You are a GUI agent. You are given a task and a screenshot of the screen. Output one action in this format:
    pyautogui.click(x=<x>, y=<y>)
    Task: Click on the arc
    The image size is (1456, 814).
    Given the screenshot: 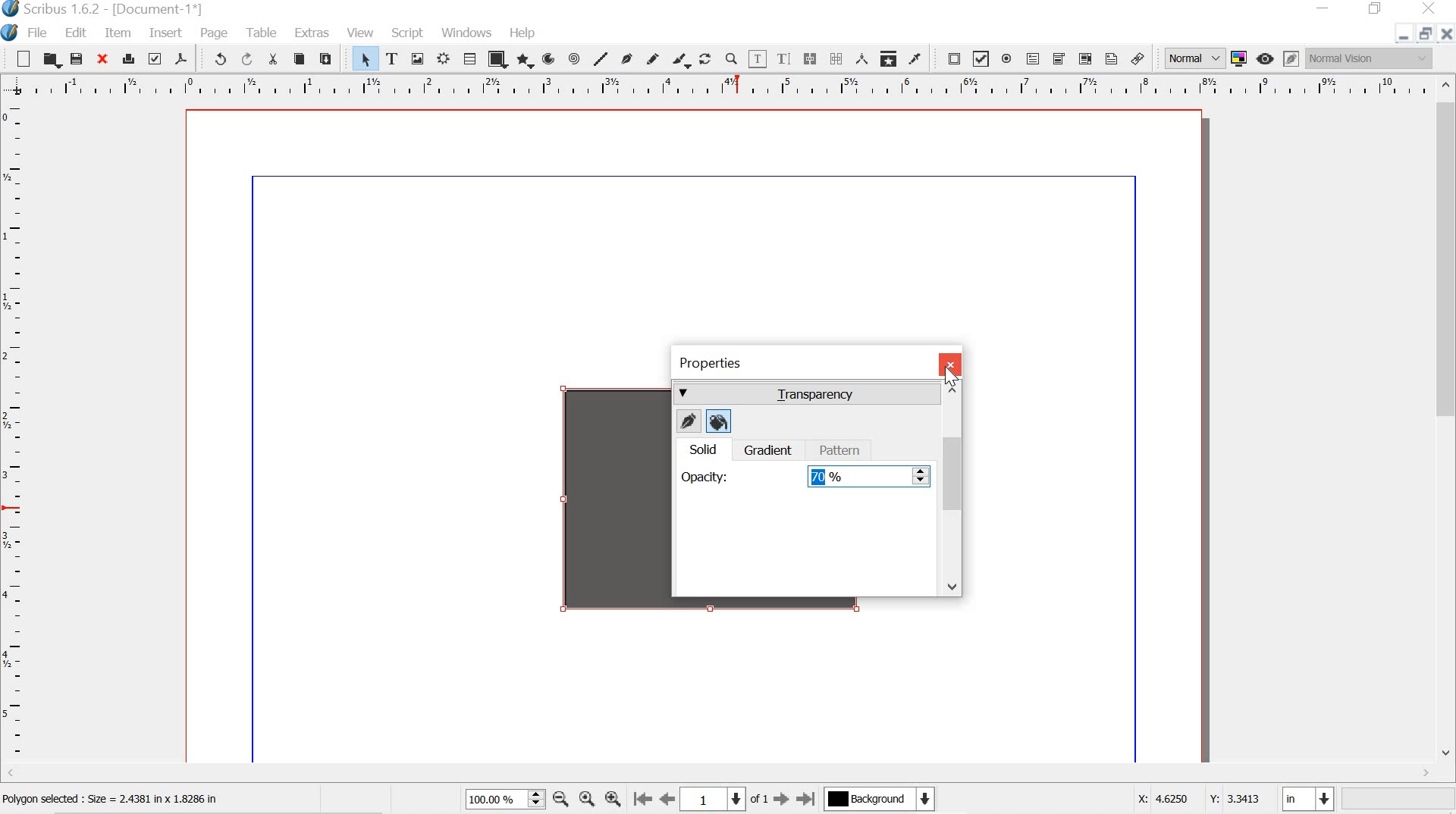 What is the action you would take?
    pyautogui.click(x=550, y=59)
    